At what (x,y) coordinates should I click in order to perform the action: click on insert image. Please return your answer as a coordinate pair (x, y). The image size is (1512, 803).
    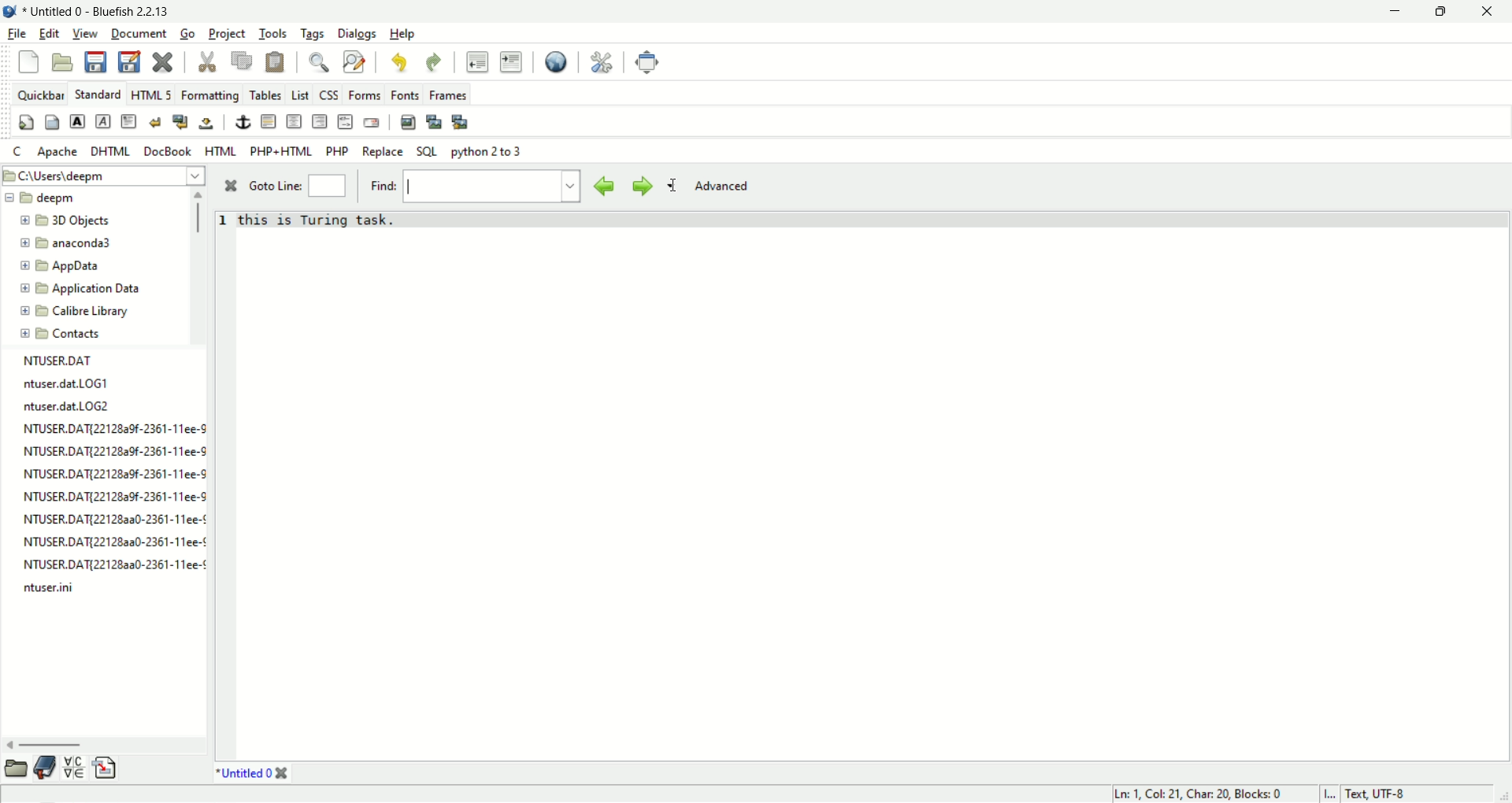
    Looking at the image, I should click on (409, 123).